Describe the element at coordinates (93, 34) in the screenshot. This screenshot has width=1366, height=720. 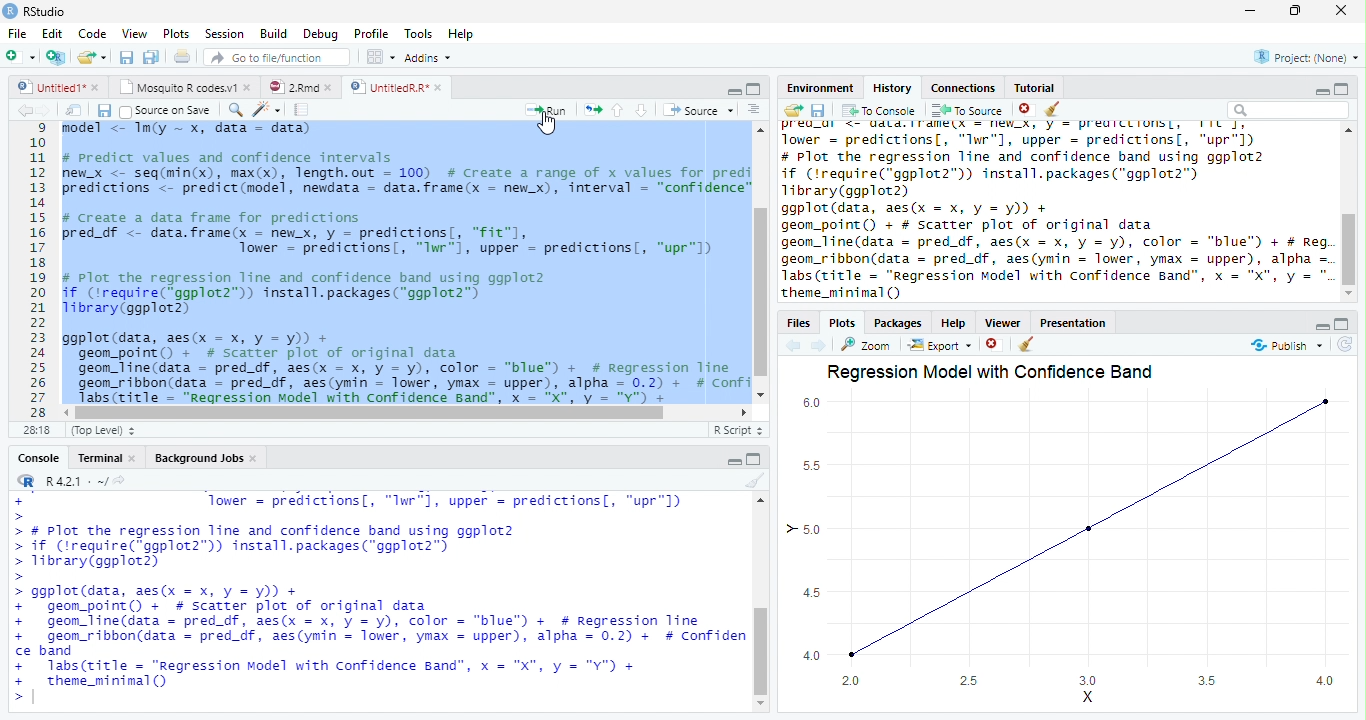
I see `Code` at that location.